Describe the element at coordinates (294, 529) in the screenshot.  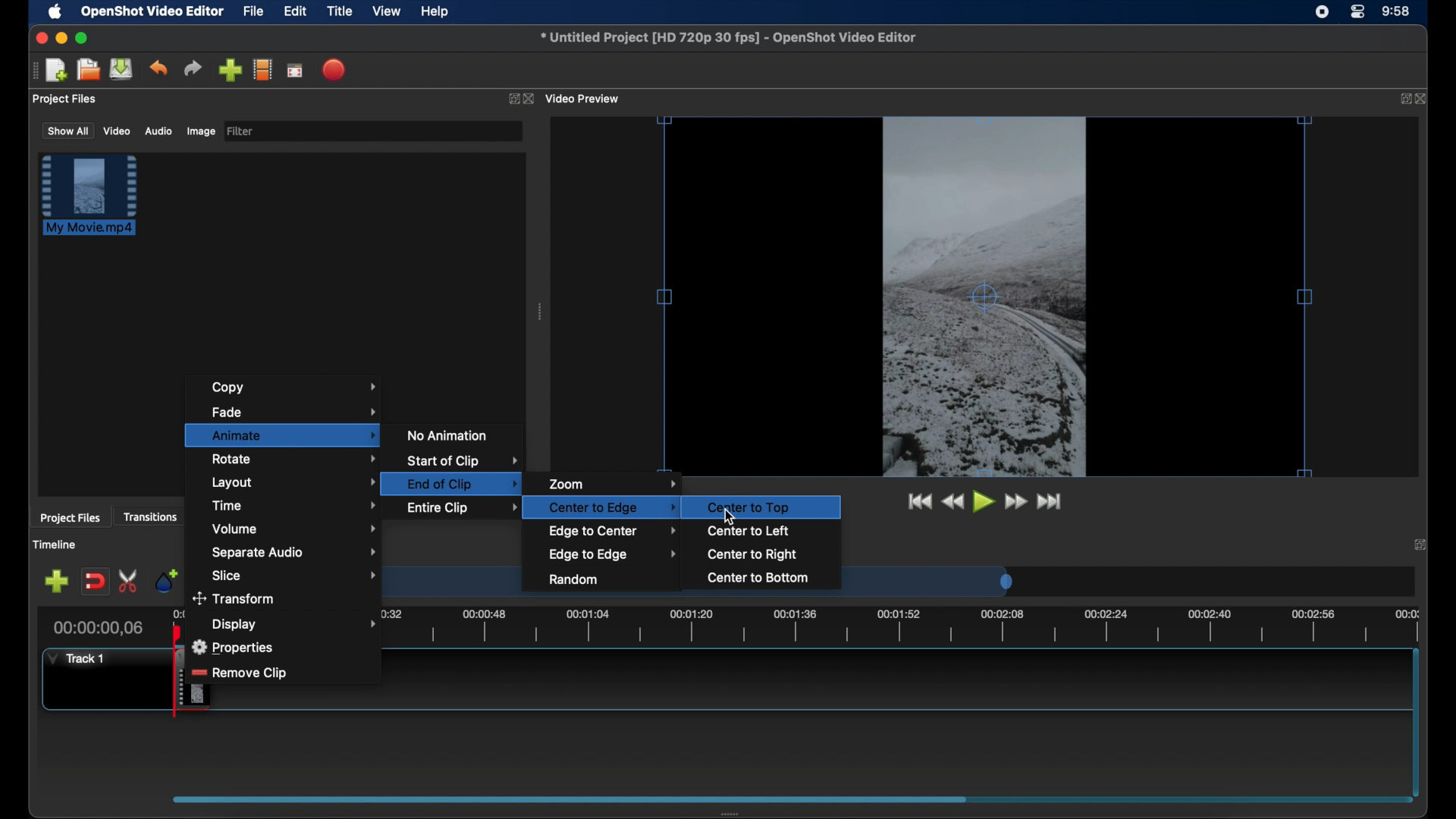
I see `volume menu` at that location.